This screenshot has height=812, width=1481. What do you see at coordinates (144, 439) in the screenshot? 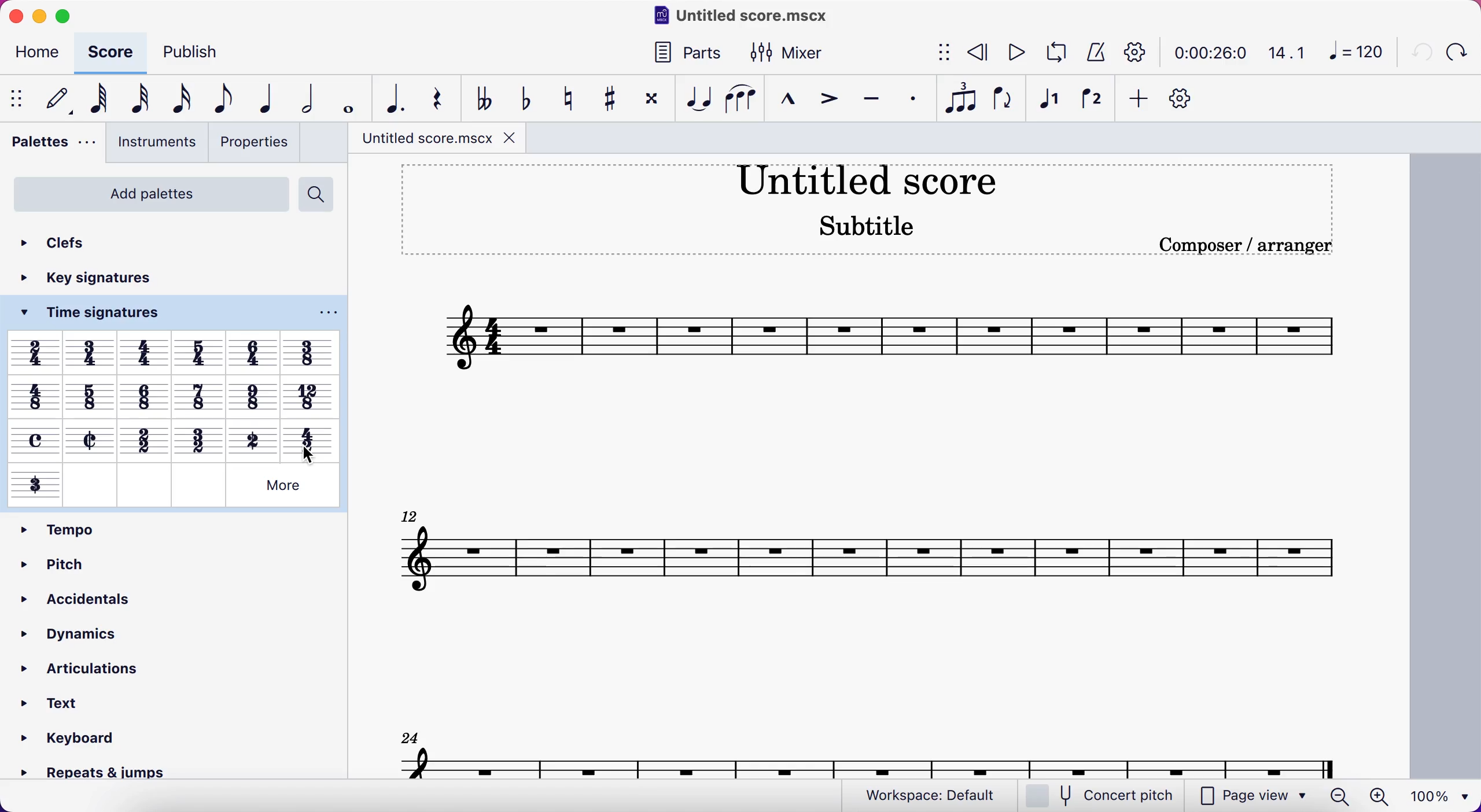
I see `` at bounding box center [144, 439].